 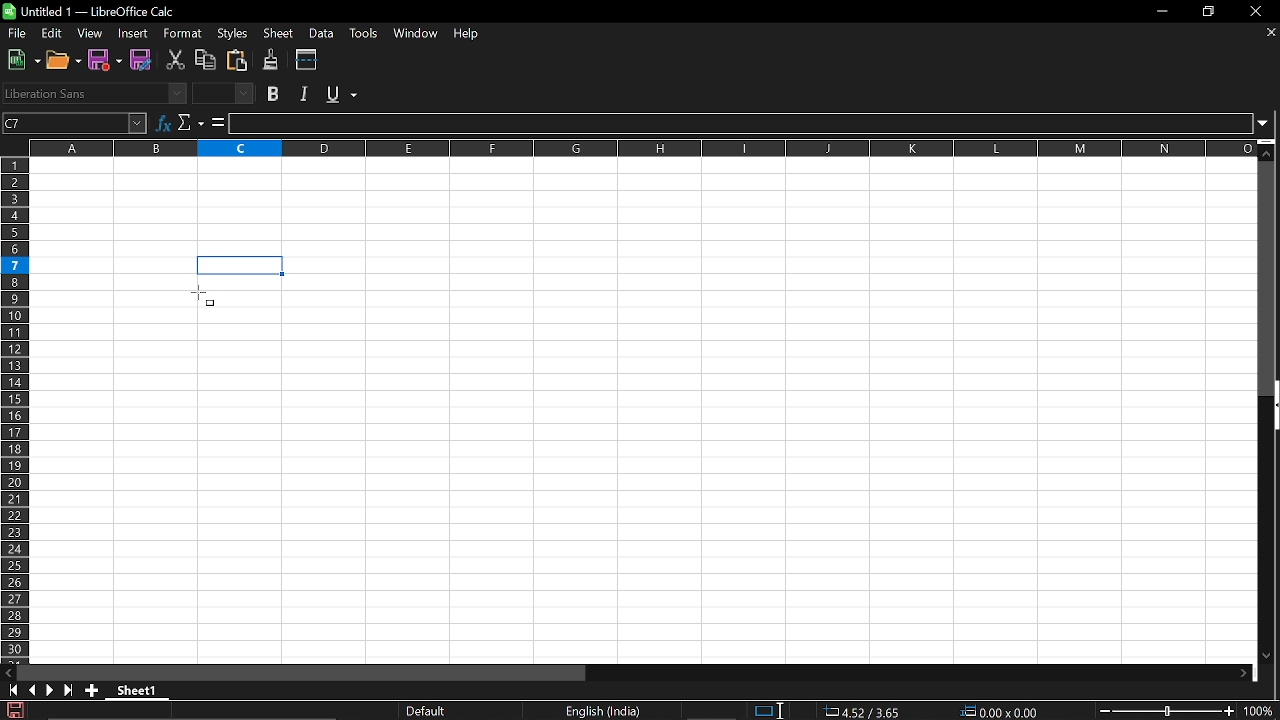 What do you see at coordinates (179, 34) in the screenshot?
I see `Format` at bounding box center [179, 34].